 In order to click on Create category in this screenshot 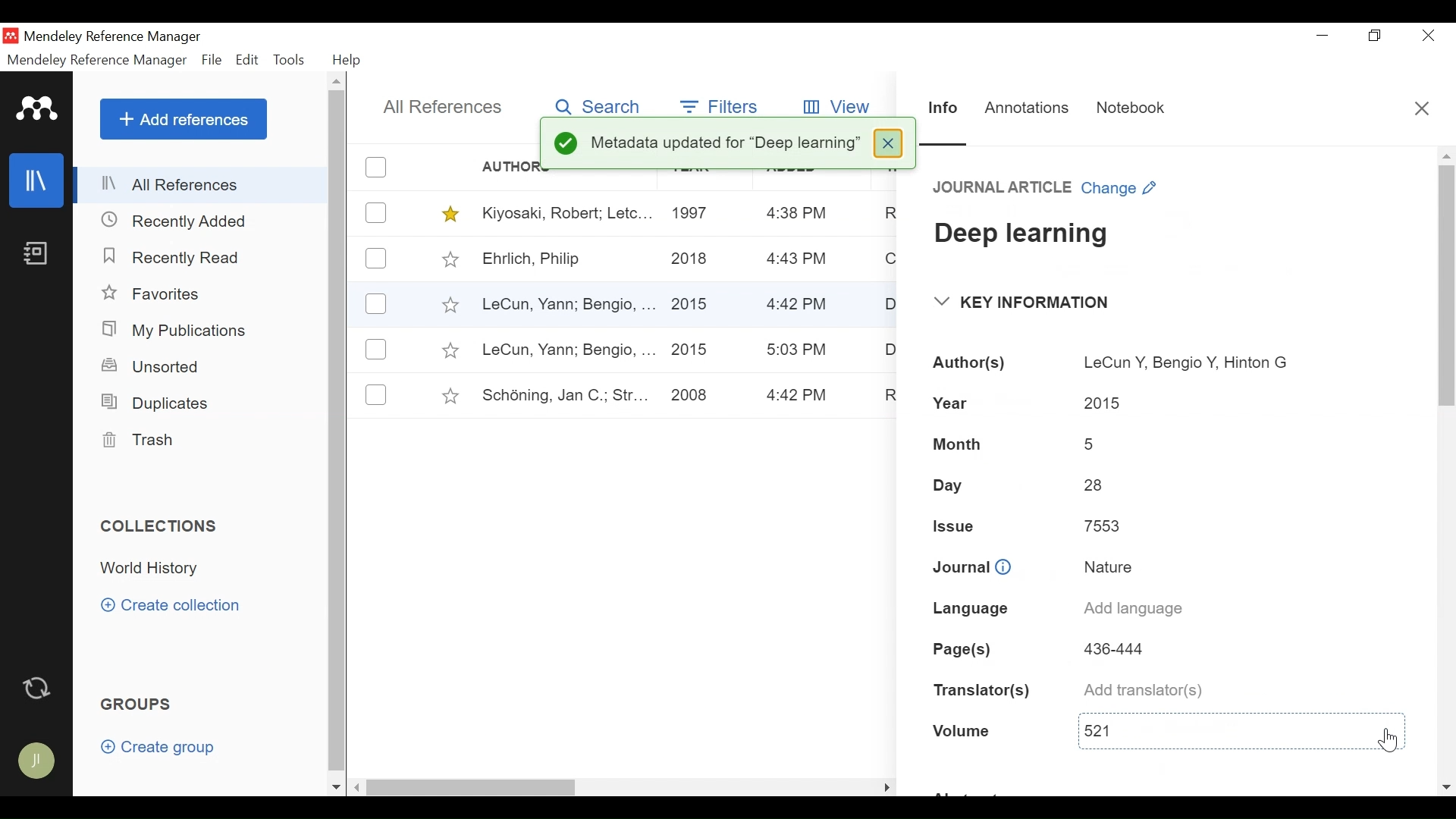, I will do `click(172, 604)`.